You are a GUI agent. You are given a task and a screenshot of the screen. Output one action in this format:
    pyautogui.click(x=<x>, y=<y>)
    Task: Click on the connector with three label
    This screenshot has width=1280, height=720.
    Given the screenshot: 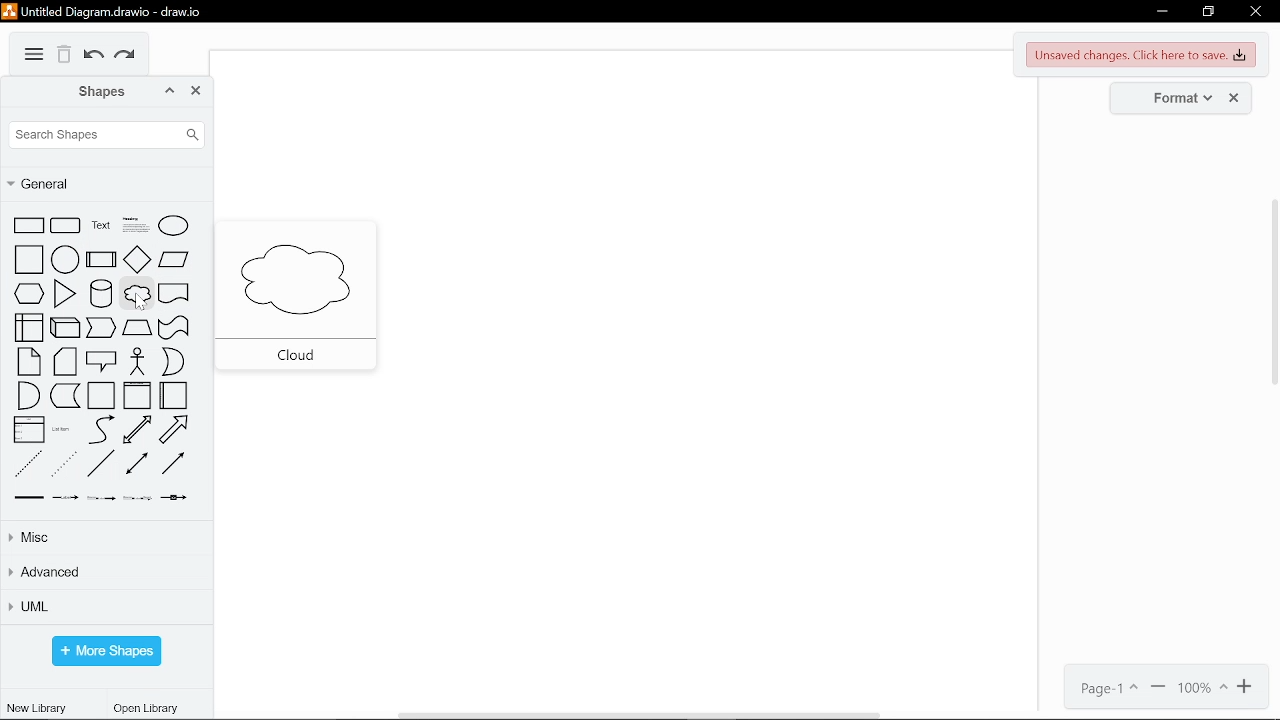 What is the action you would take?
    pyautogui.click(x=138, y=498)
    